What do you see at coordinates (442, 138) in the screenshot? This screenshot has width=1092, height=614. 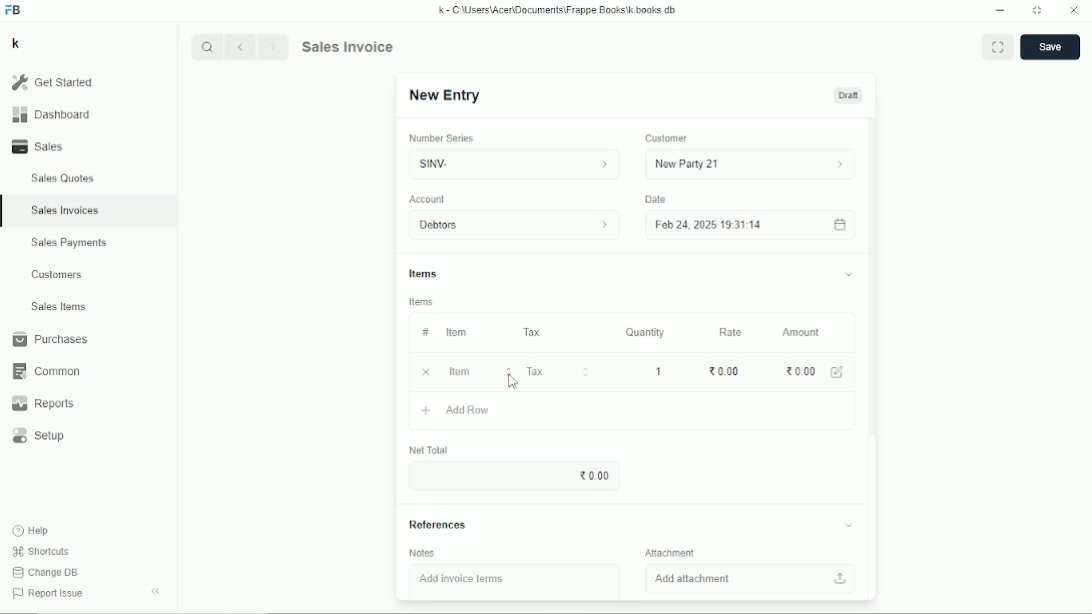 I see `Number series` at bounding box center [442, 138].